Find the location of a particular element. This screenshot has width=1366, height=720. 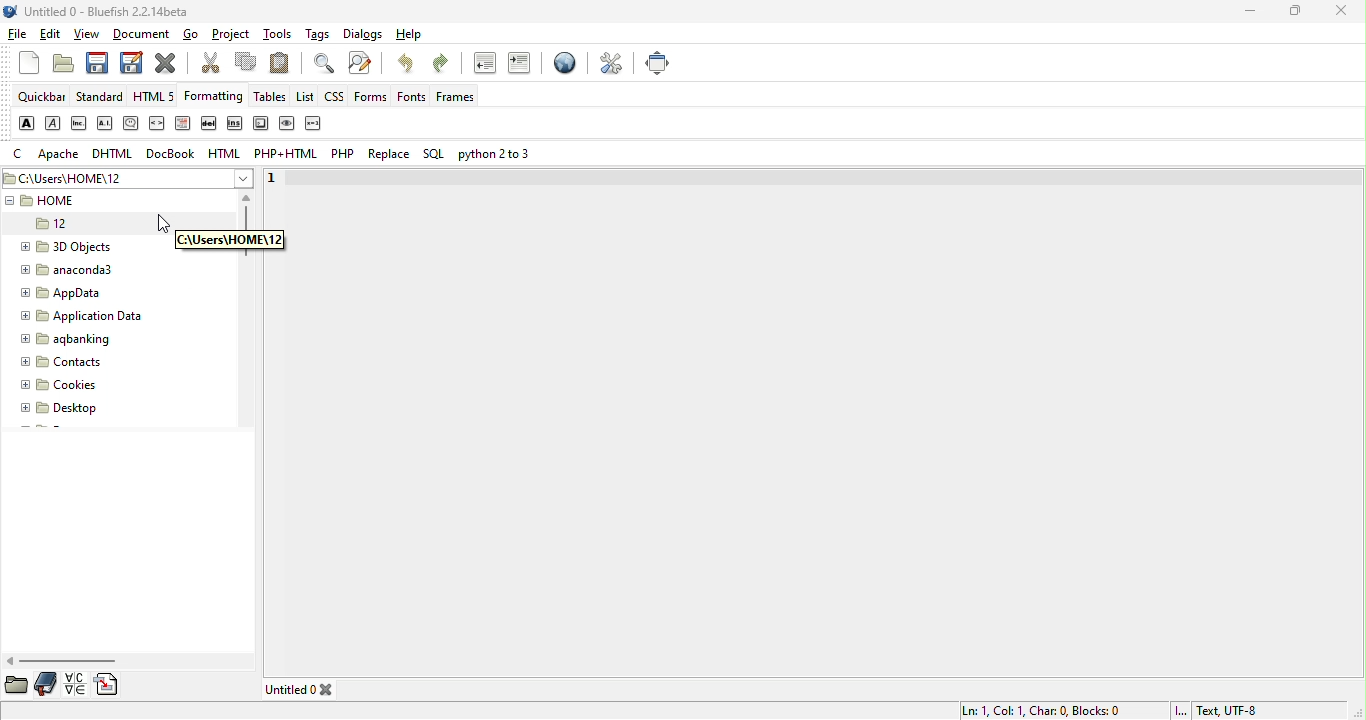

cut is located at coordinates (210, 65).